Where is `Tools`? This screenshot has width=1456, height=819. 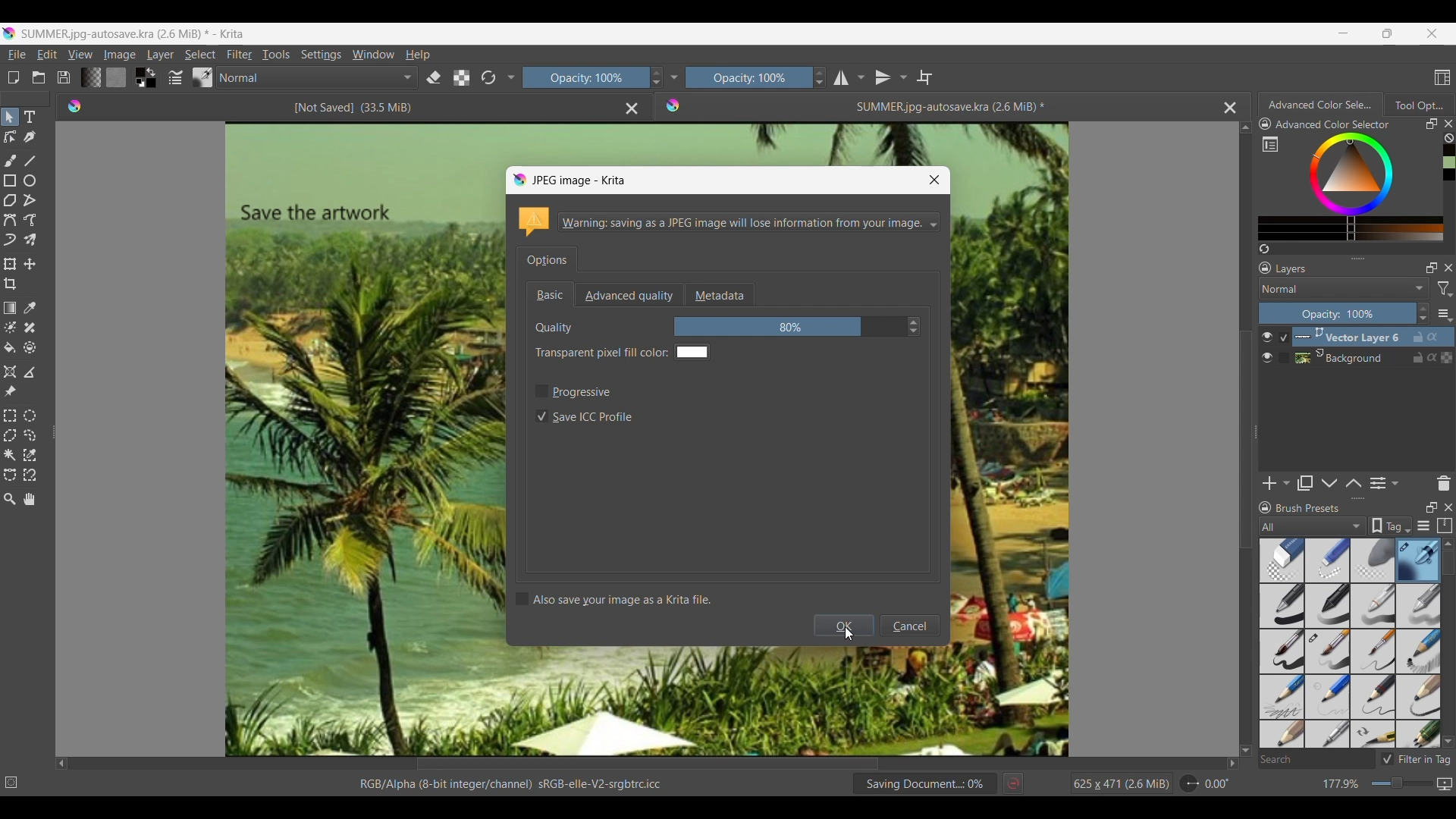 Tools is located at coordinates (276, 55).